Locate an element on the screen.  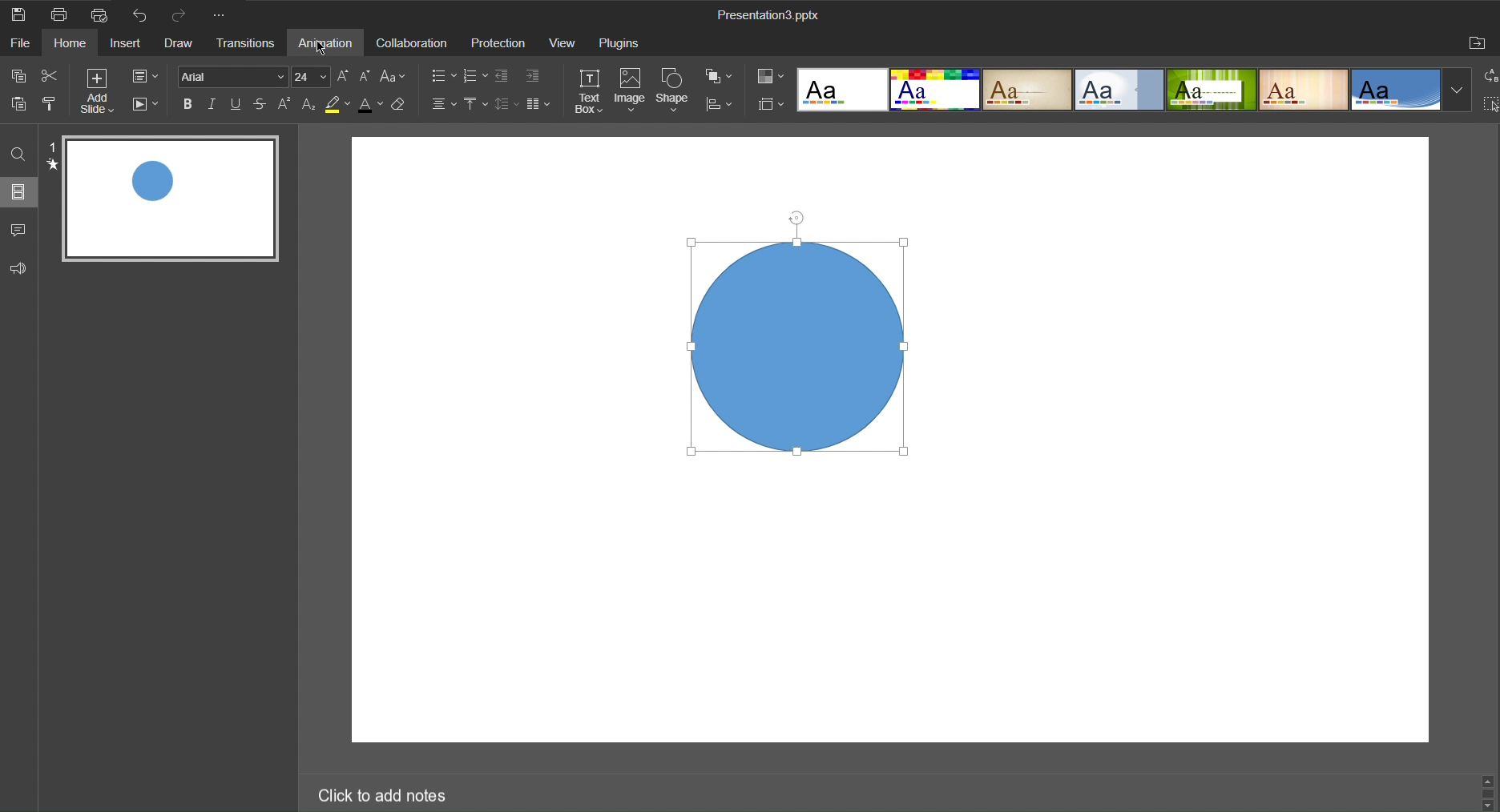
Comments is located at coordinates (20, 227).